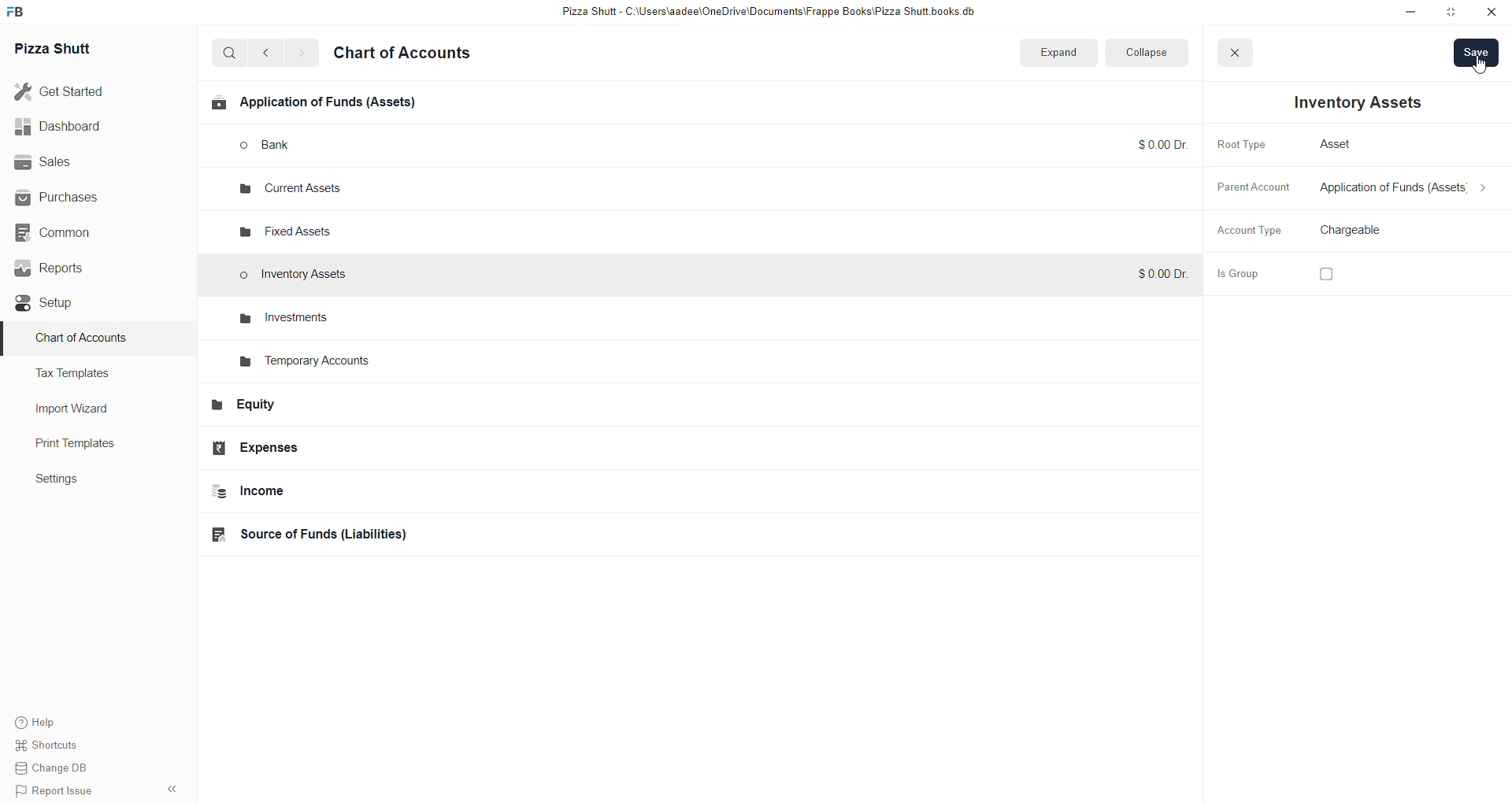 This screenshot has height=803, width=1512. Describe the element at coordinates (767, 13) in the screenshot. I see `Pizza Shutt - C:\Users\aadee\OneDrive\Documents|\Frappe Books\Pizza Shutt books.db` at that location.